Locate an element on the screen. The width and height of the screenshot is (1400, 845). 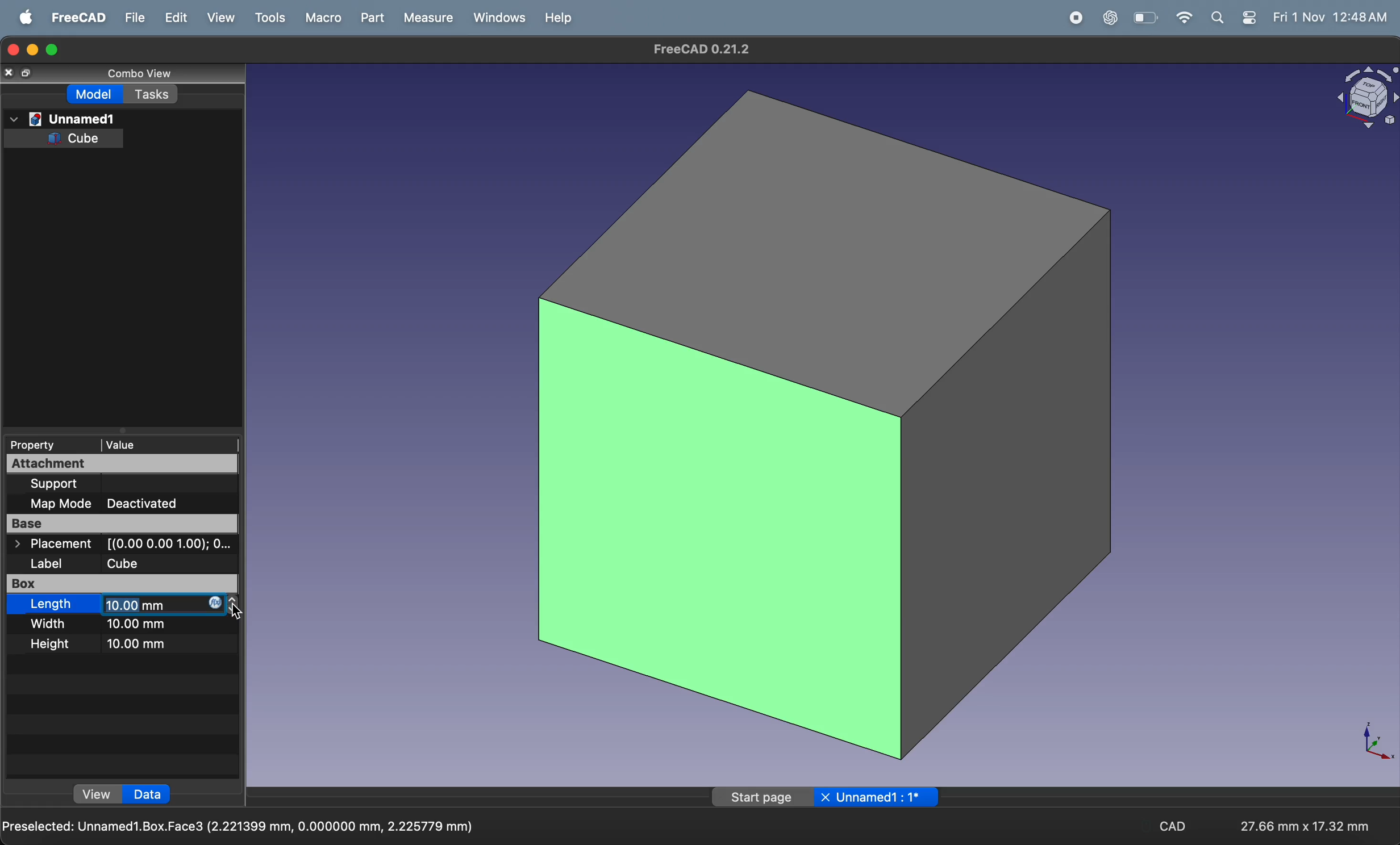
27.66 mm x 17.32 mm is located at coordinates (1307, 826).